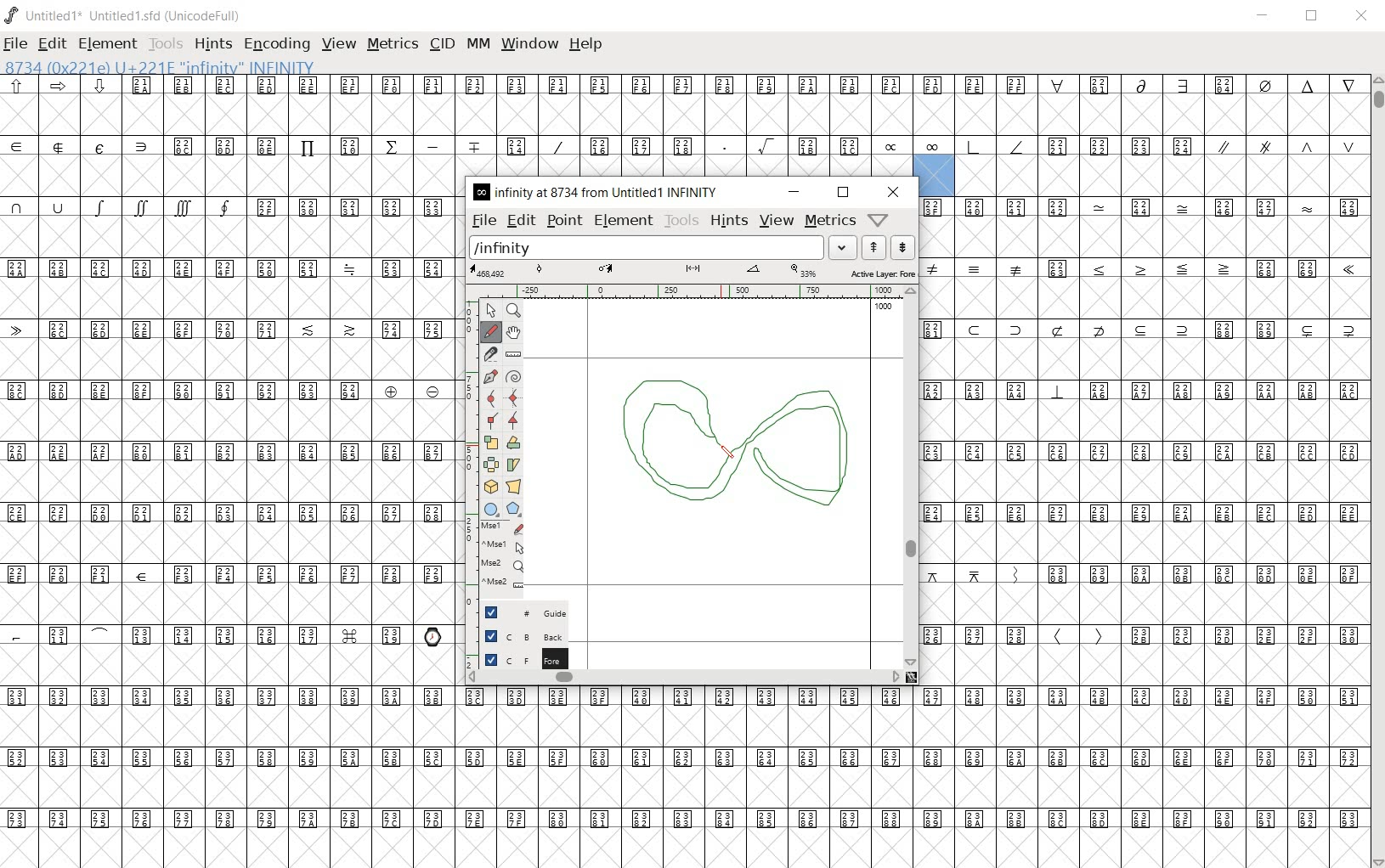 This screenshot has width=1385, height=868. I want to click on Unicode code points, so click(1246, 208).